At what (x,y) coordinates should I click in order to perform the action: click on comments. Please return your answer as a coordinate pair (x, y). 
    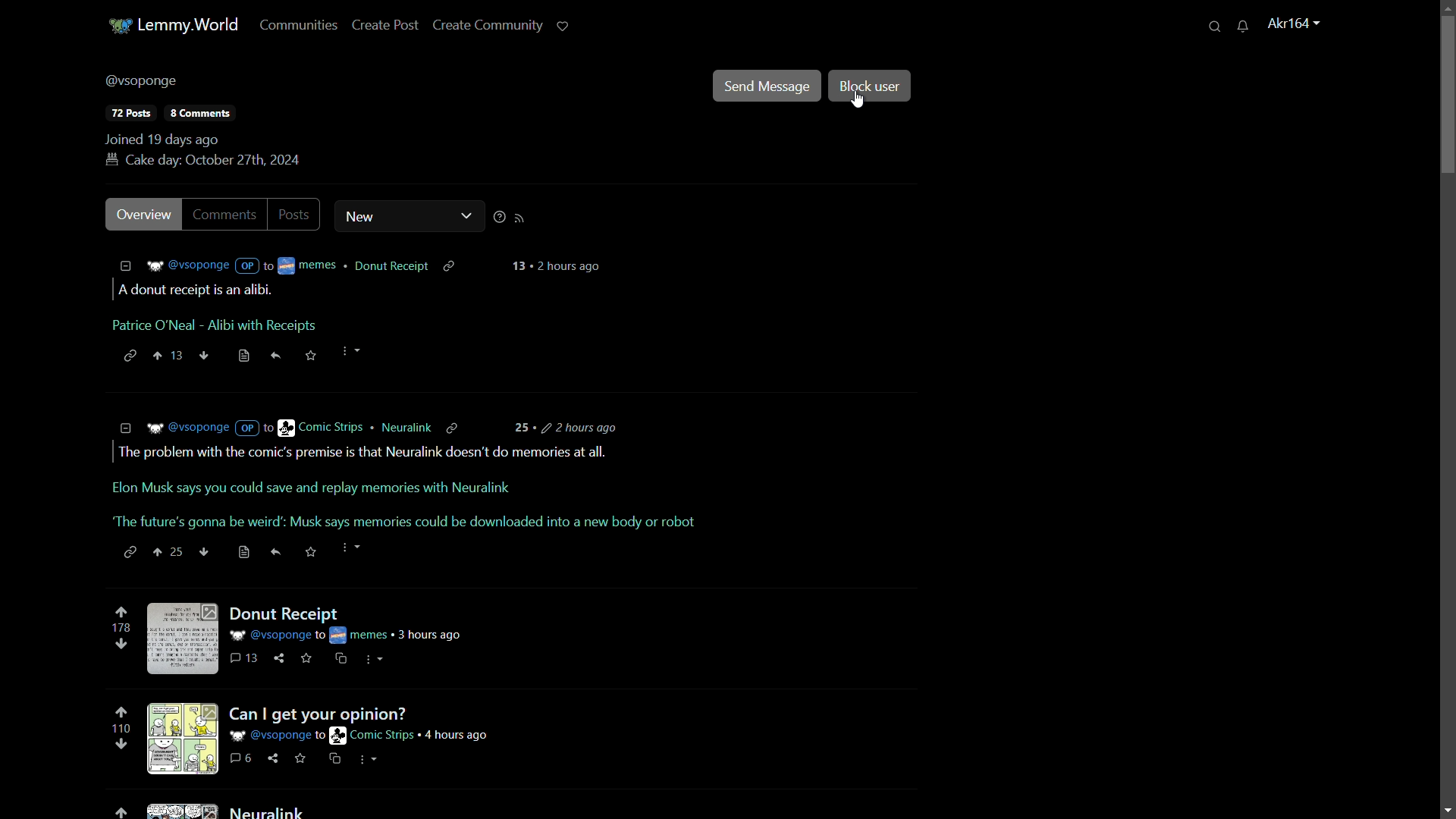
    Looking at the image, I should click on (228, 214).